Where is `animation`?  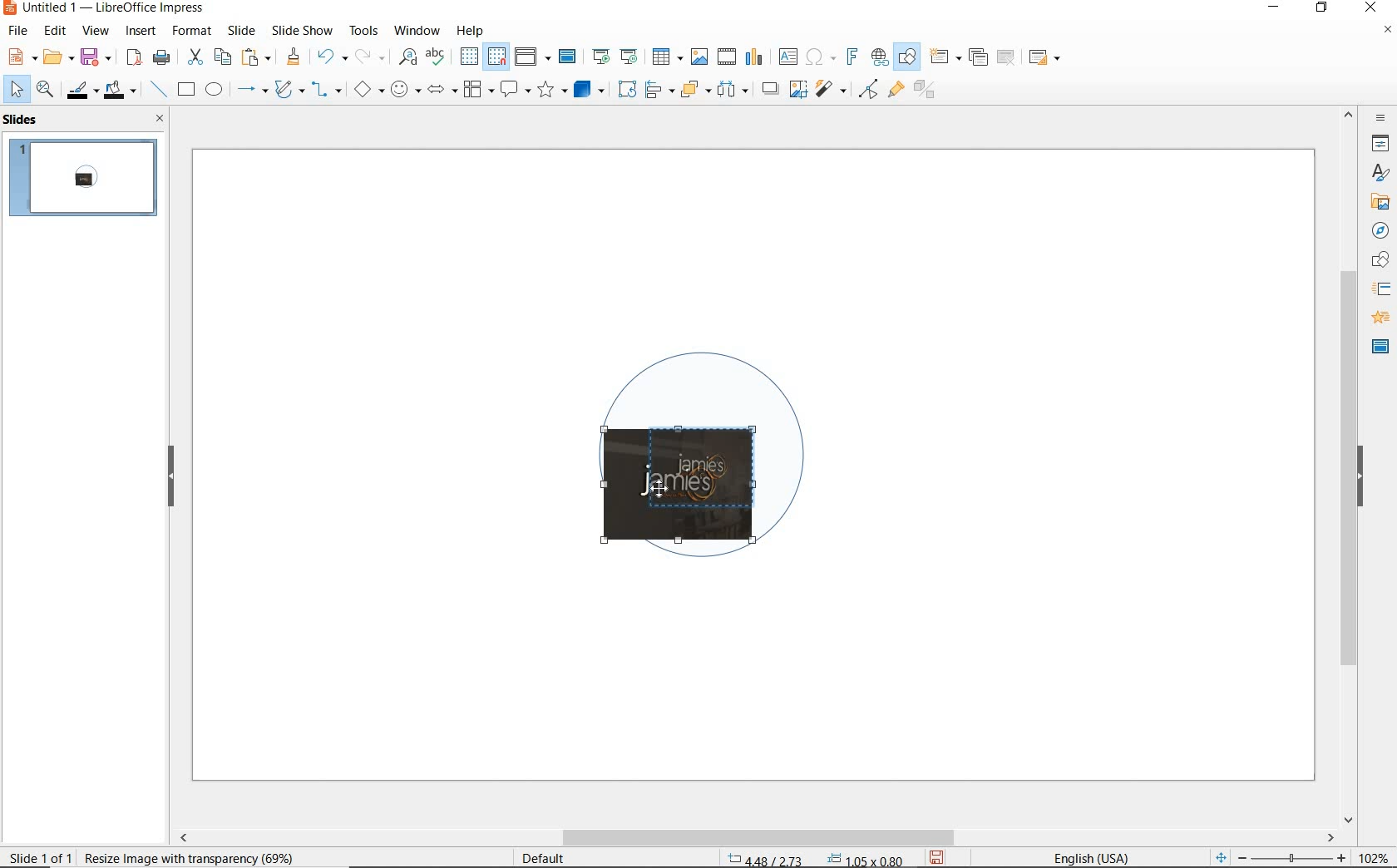 animation is located at coordinates (1378, 318).